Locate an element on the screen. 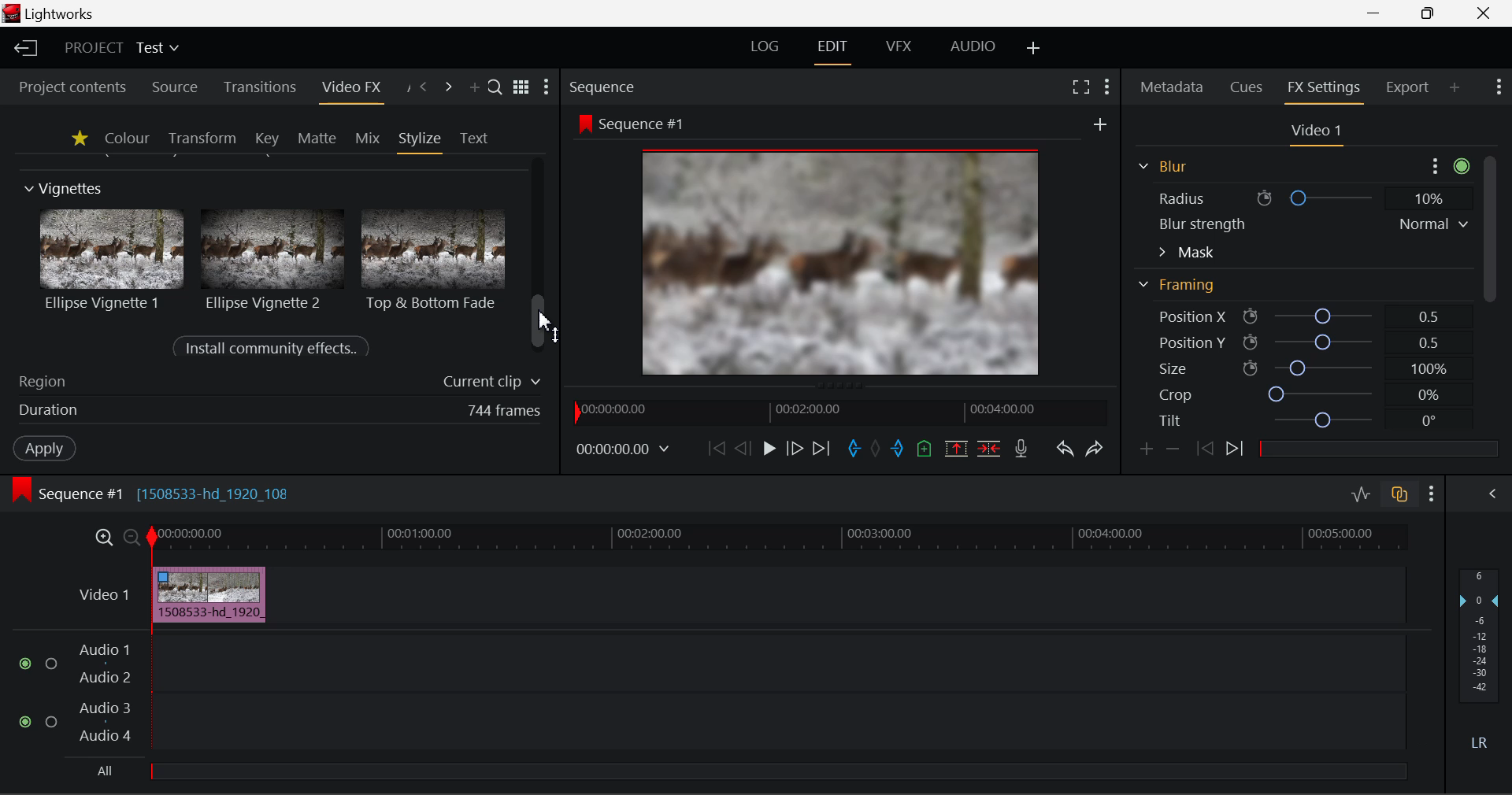 The height and width of the screenshot is (795, 1512). Go Back is located at coordinates (743, 449).